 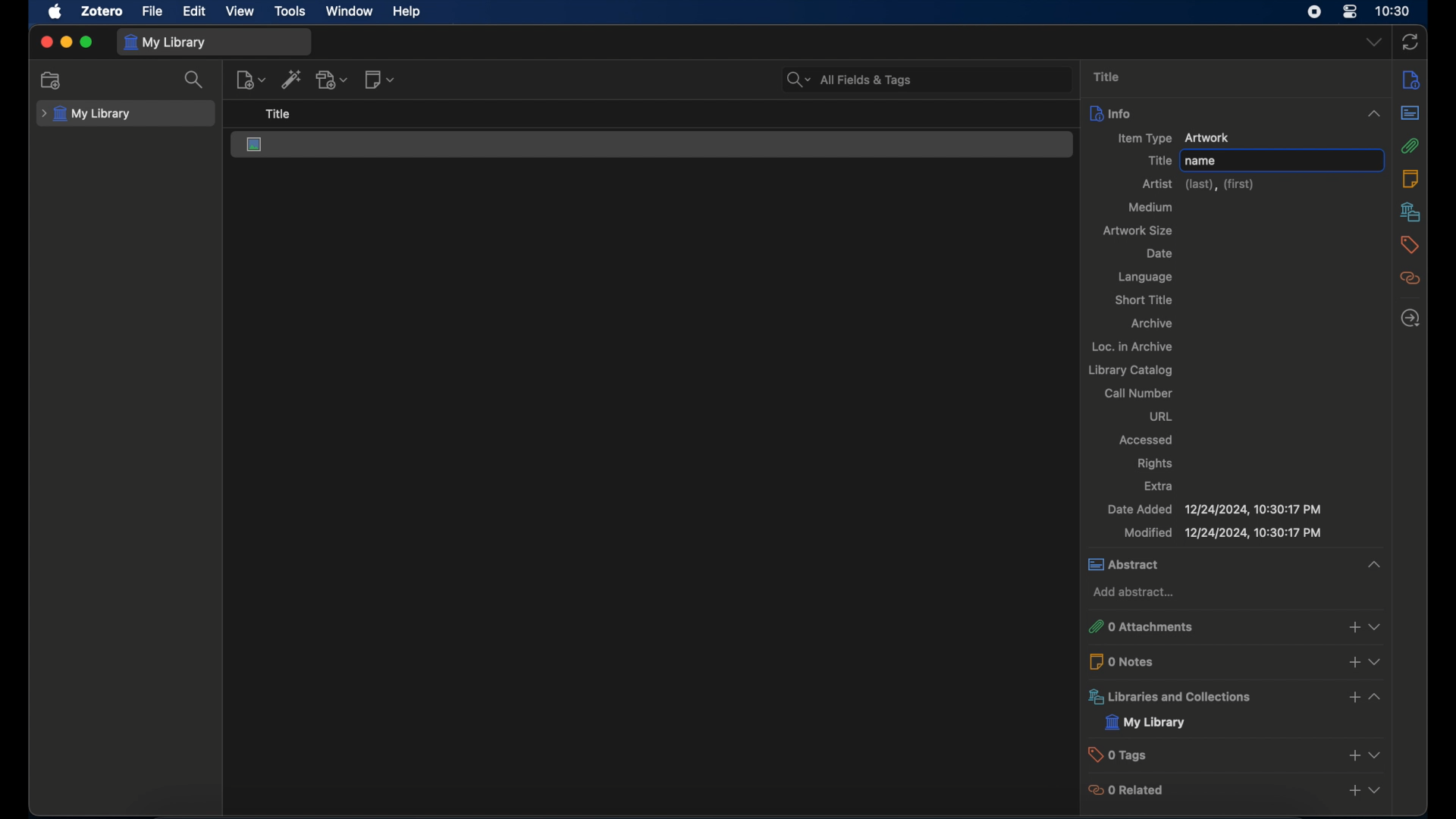 What do you see at coordinates (1200, 184) in the screenshot?
I see `artist` at bounding box center [1200, 184].